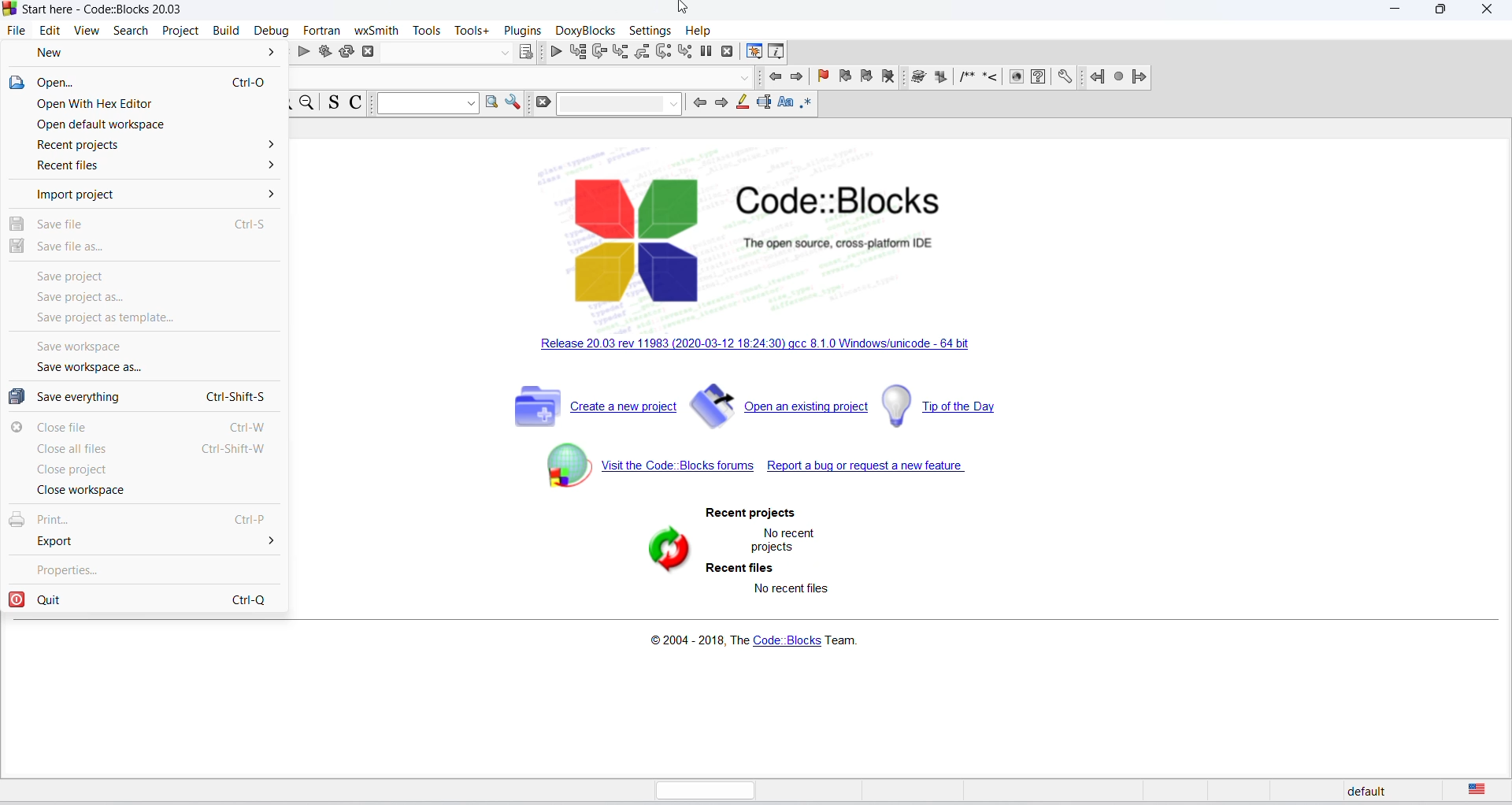  What do you see at coordinates (143, 370) in the screenshot?
I see `save workspace as` at bounding box center [143, 370].